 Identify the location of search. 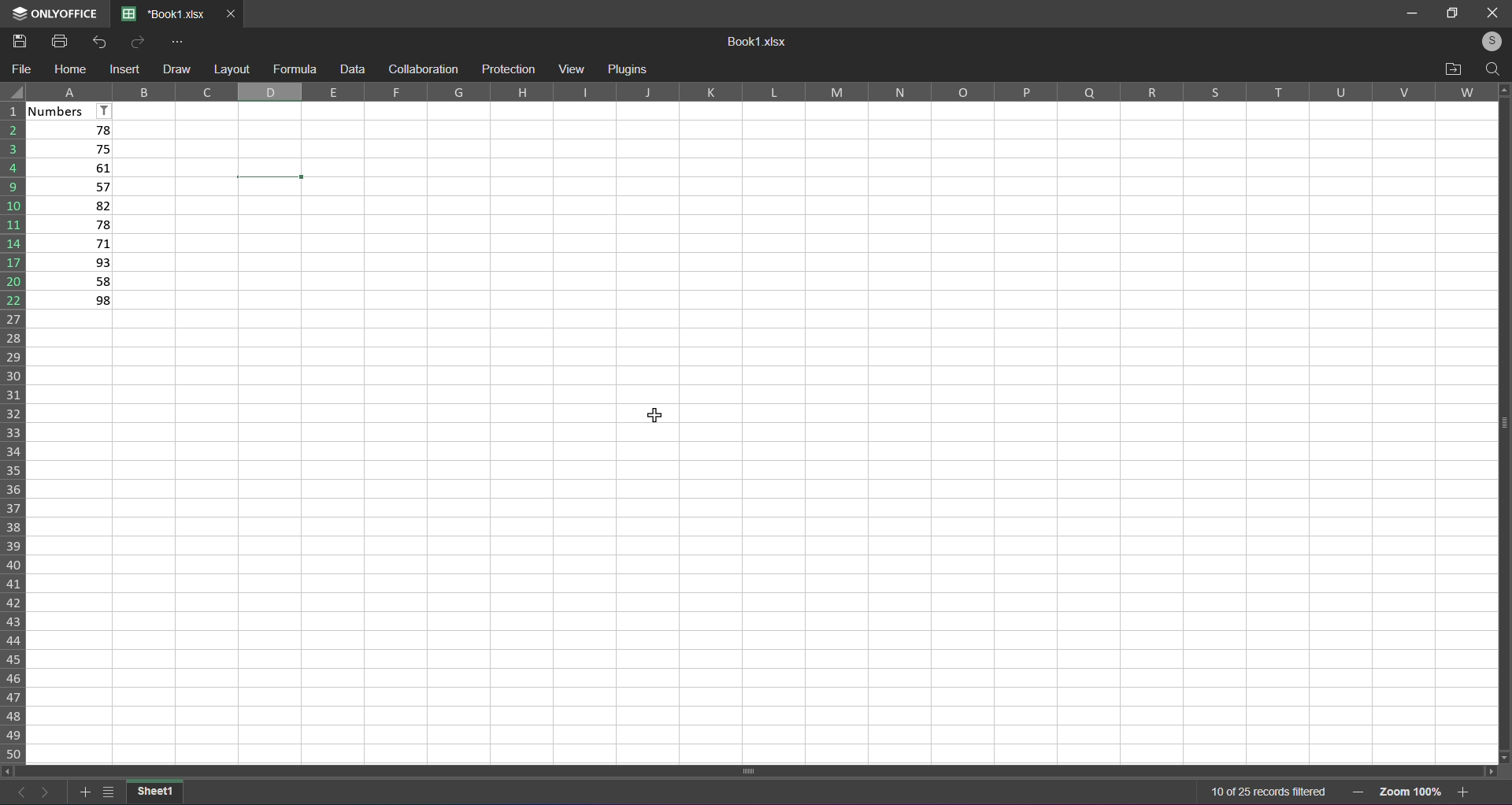
(1492, 69).